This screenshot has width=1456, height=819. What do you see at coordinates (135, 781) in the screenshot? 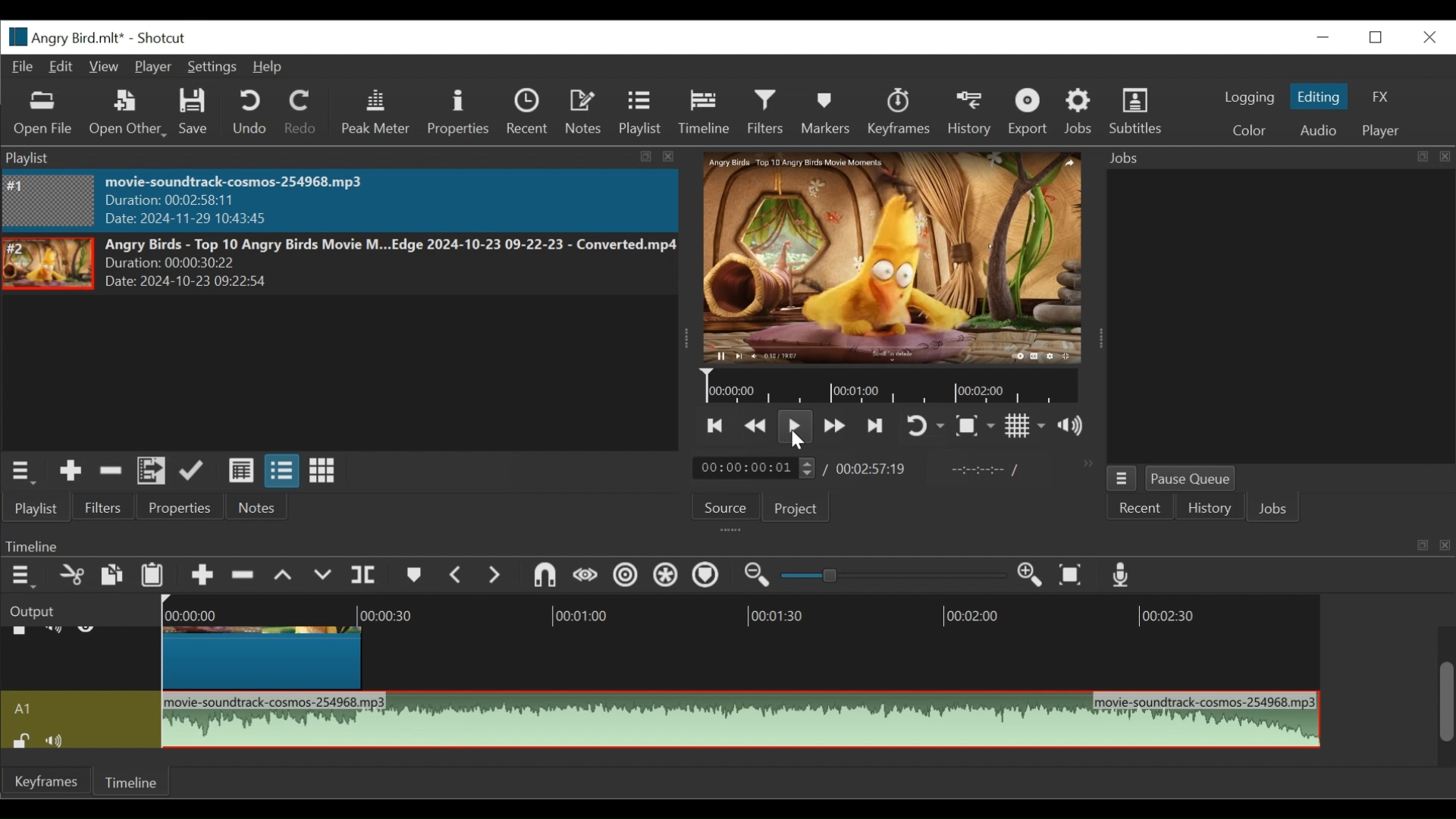
I see `Timeline` at bounding box center [135, 781].